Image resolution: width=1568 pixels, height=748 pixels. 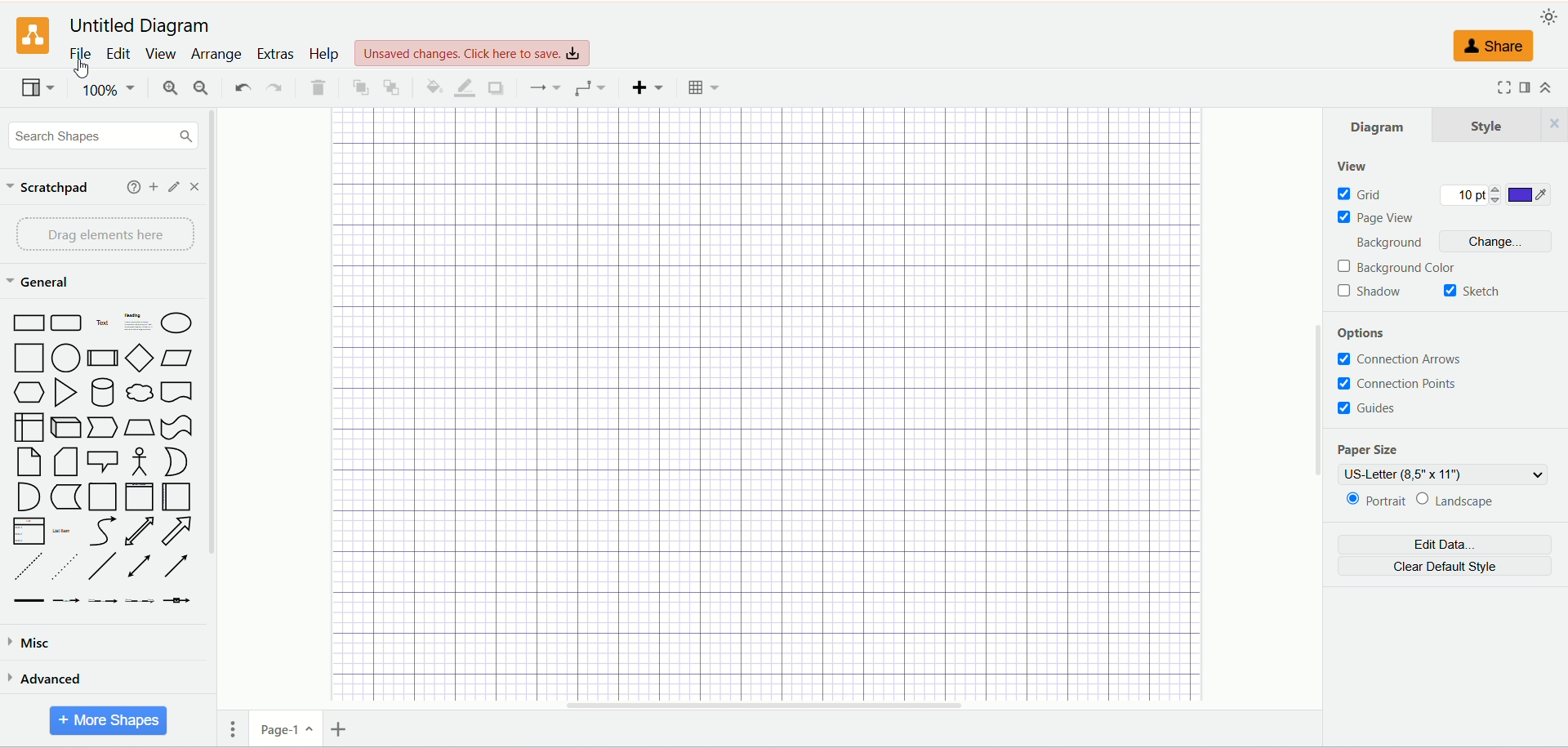 What do you see at coordinates (68, 359) in the screenshot?
I see `Circle` at bounding box center [68, 359].